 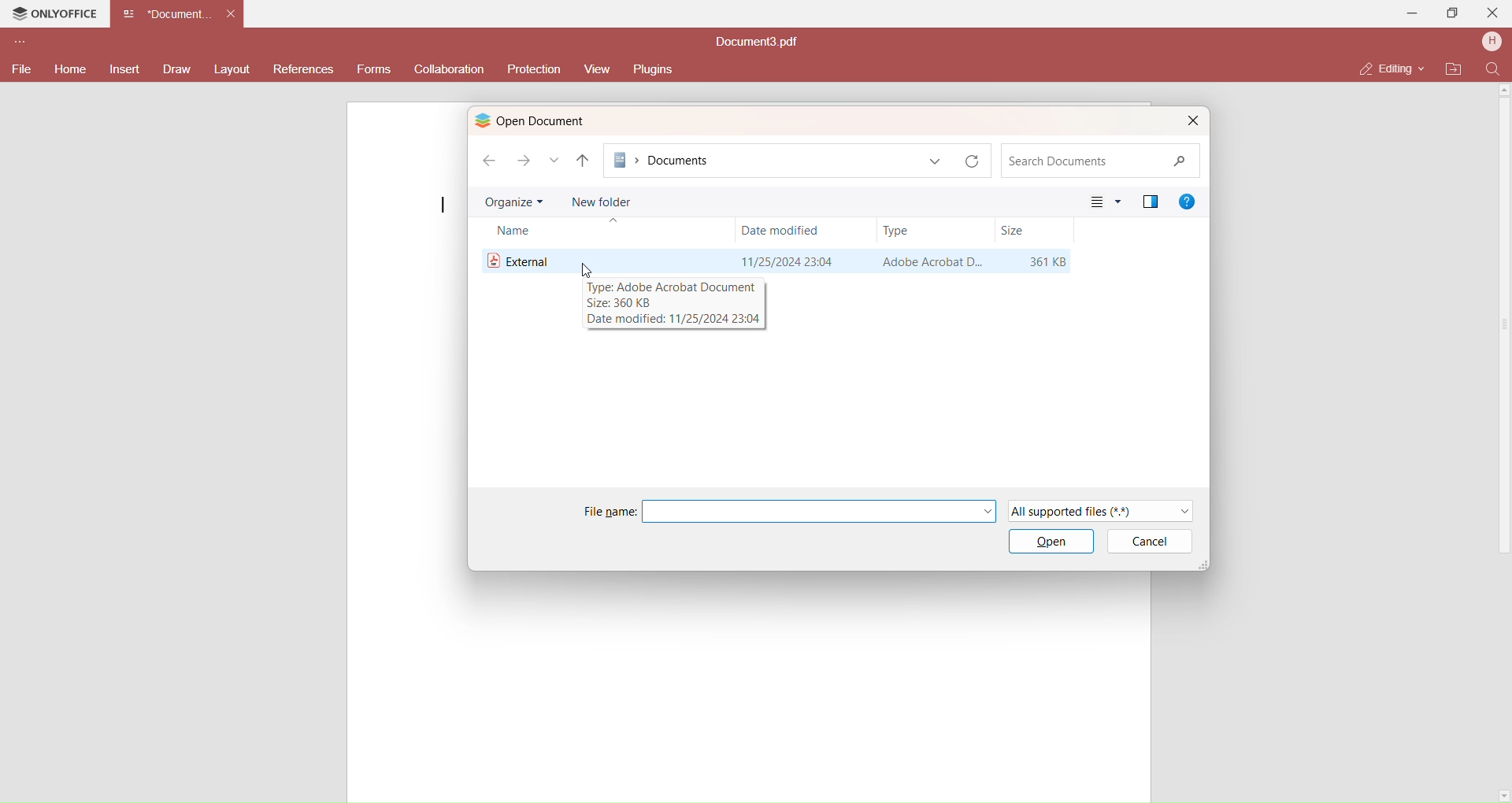 What do you see at coordinates (785, 260) in the screenshot?
I see `Date Modified` at bounding box center [785, 260].